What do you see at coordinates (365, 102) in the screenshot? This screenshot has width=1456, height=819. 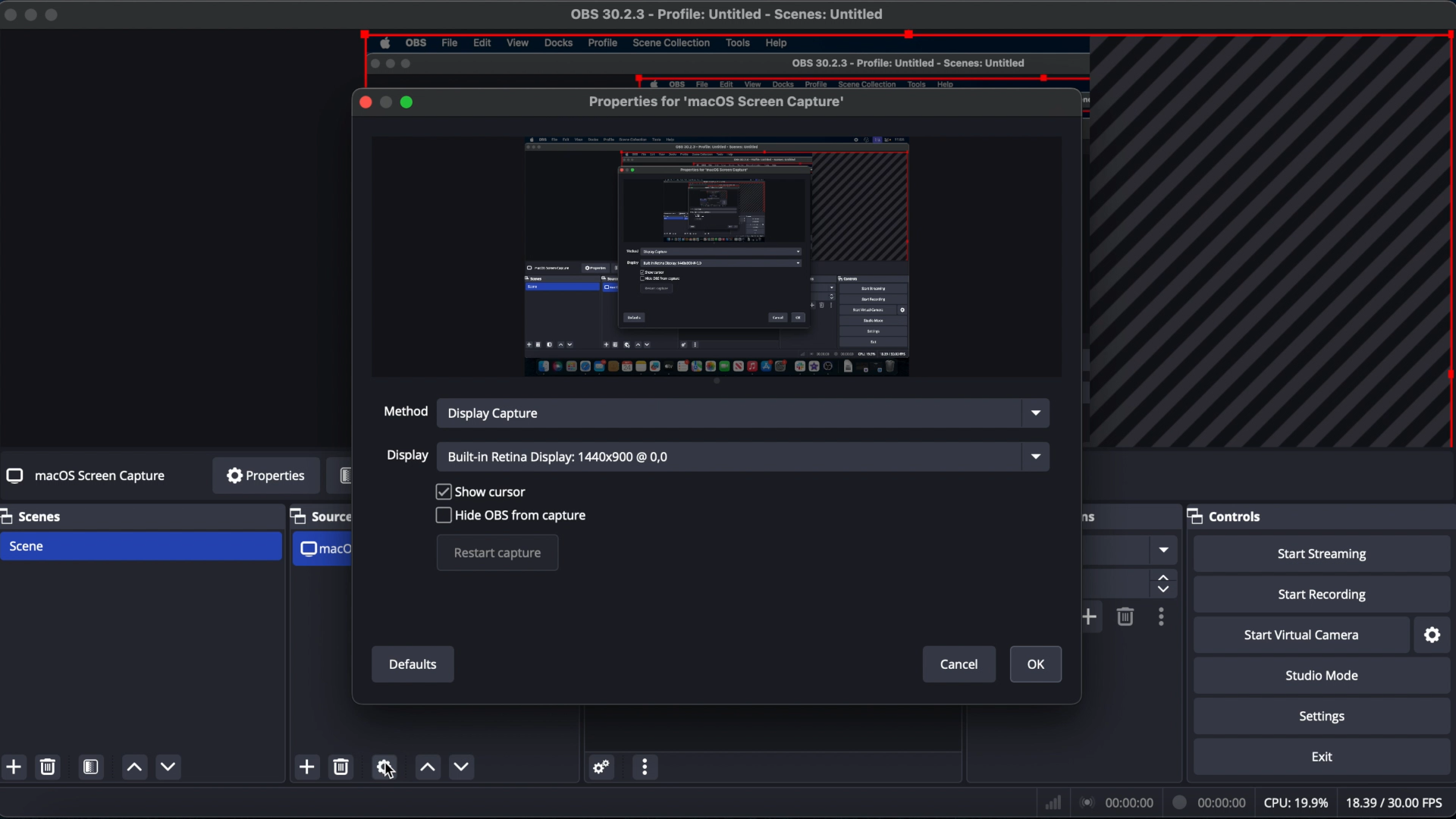 I see `close` at bounding box center [365, 102].